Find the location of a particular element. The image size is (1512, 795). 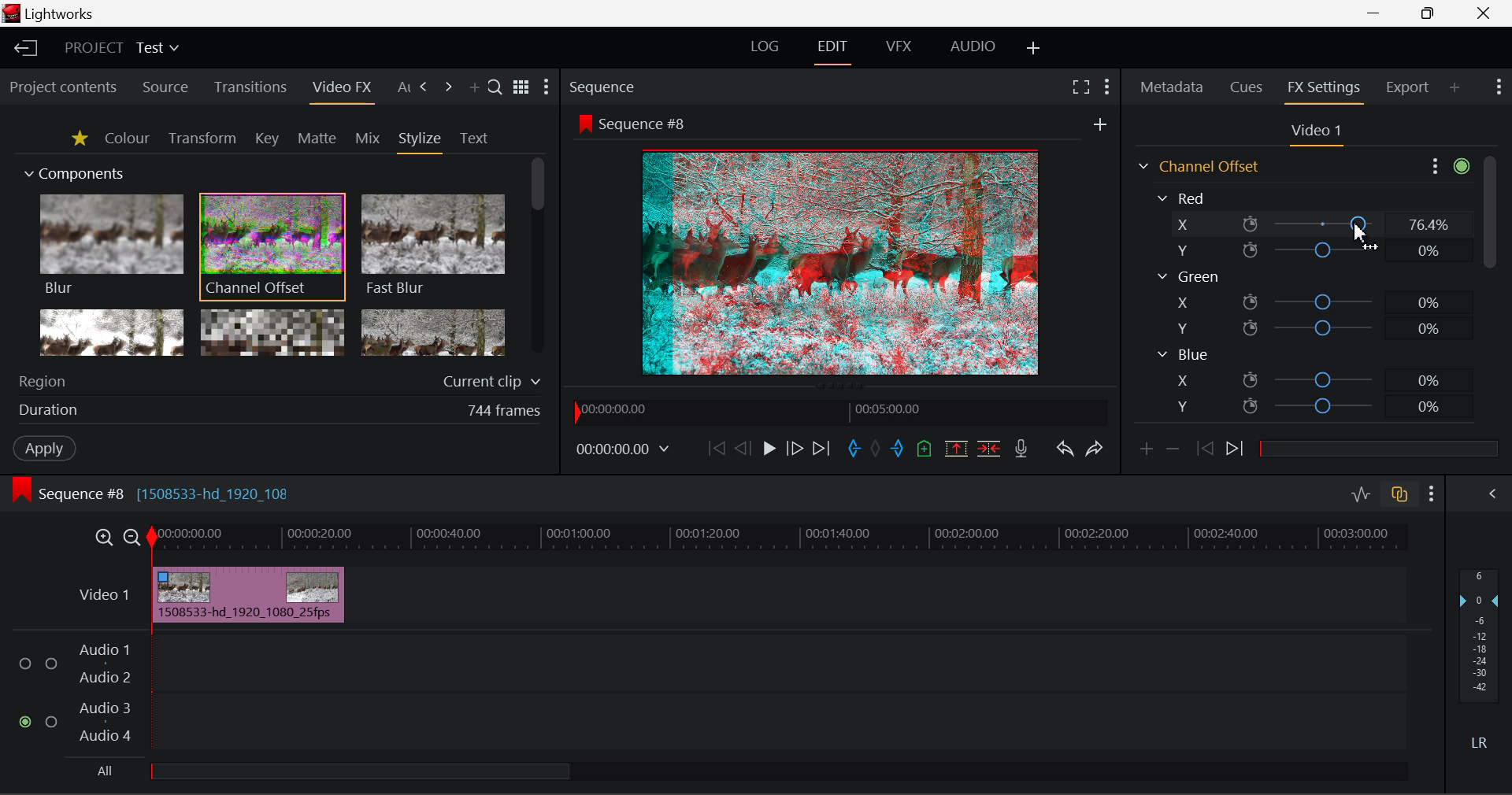

Channel Offset is located at coordinates (272, 248).